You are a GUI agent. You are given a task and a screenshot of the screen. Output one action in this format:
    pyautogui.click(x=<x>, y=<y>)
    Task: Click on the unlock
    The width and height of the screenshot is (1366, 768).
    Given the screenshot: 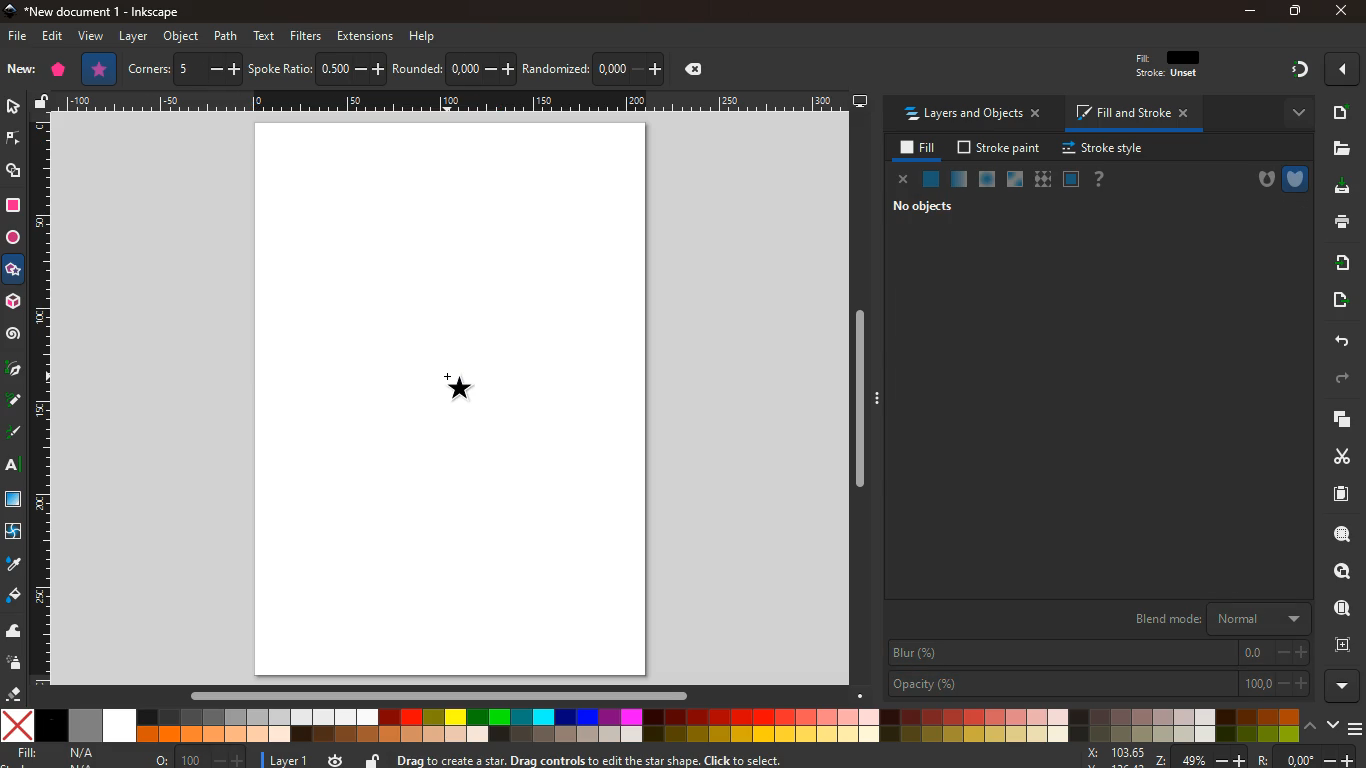 What is the action you would take?
    pyautogui.click(x=372, y=759)
    